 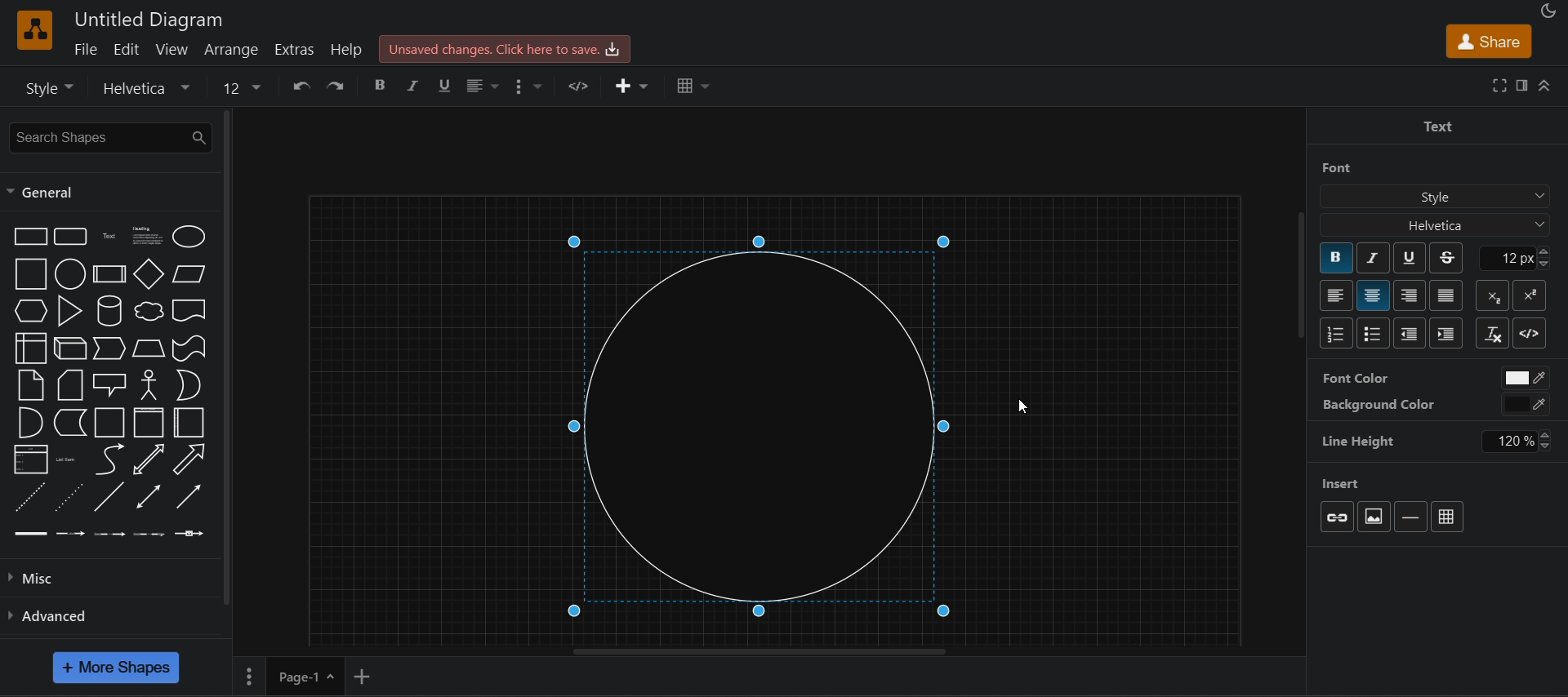 What do you see at coordinates (1338, 517) in the screenshot?
I see `link` at bounding box center [1338, 517].